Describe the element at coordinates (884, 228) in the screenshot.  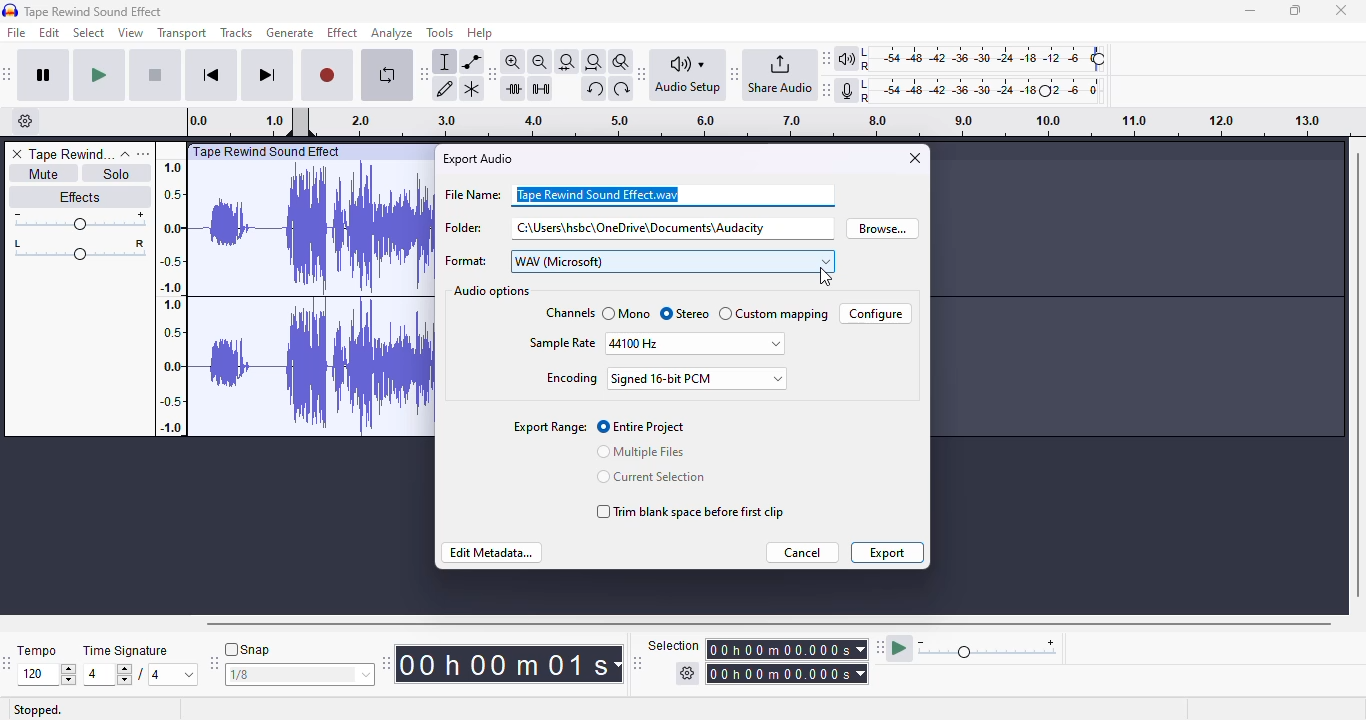
I see `browse` at that location.